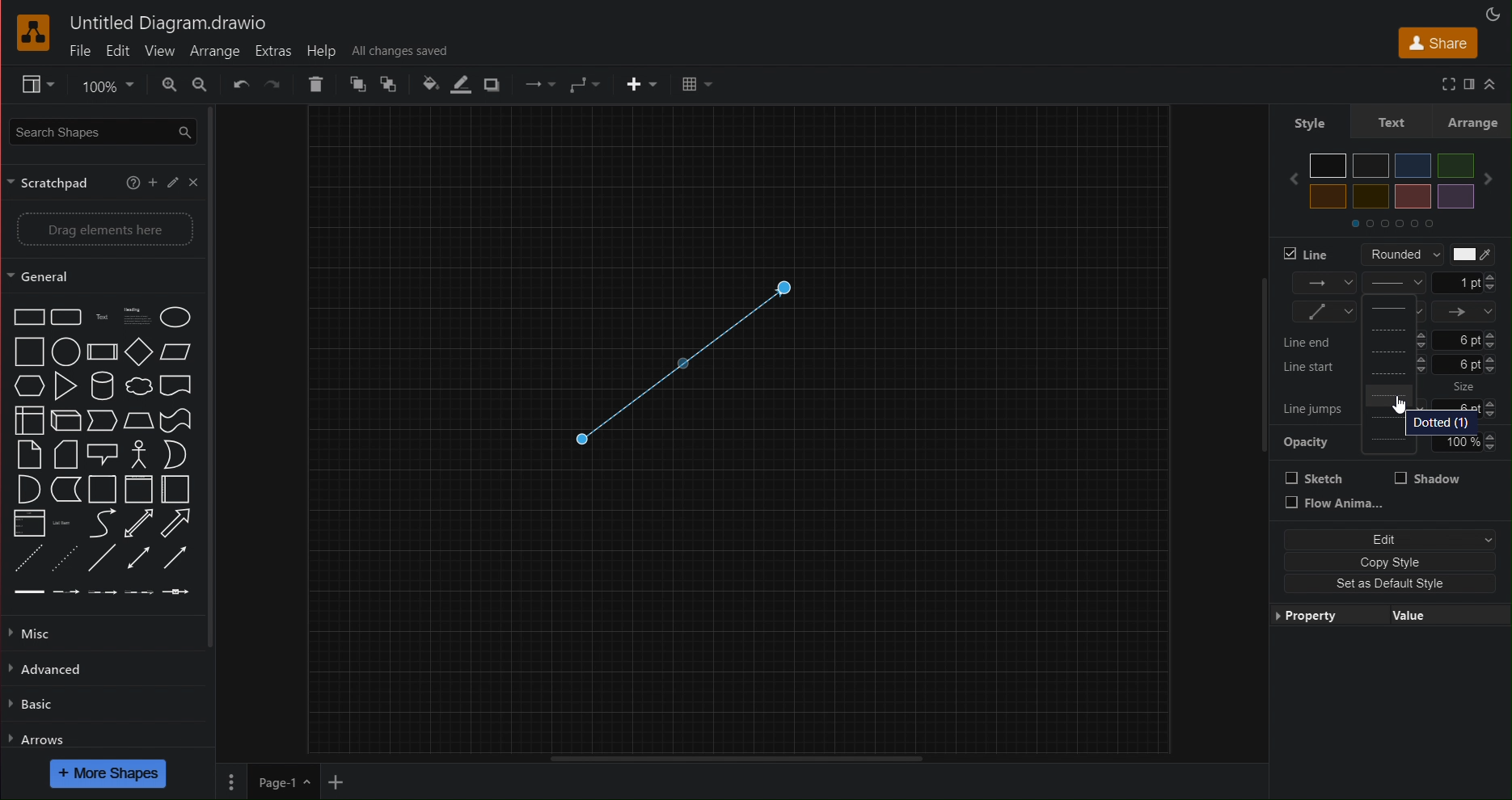  I want to click on Connection, so click(1324, 284).